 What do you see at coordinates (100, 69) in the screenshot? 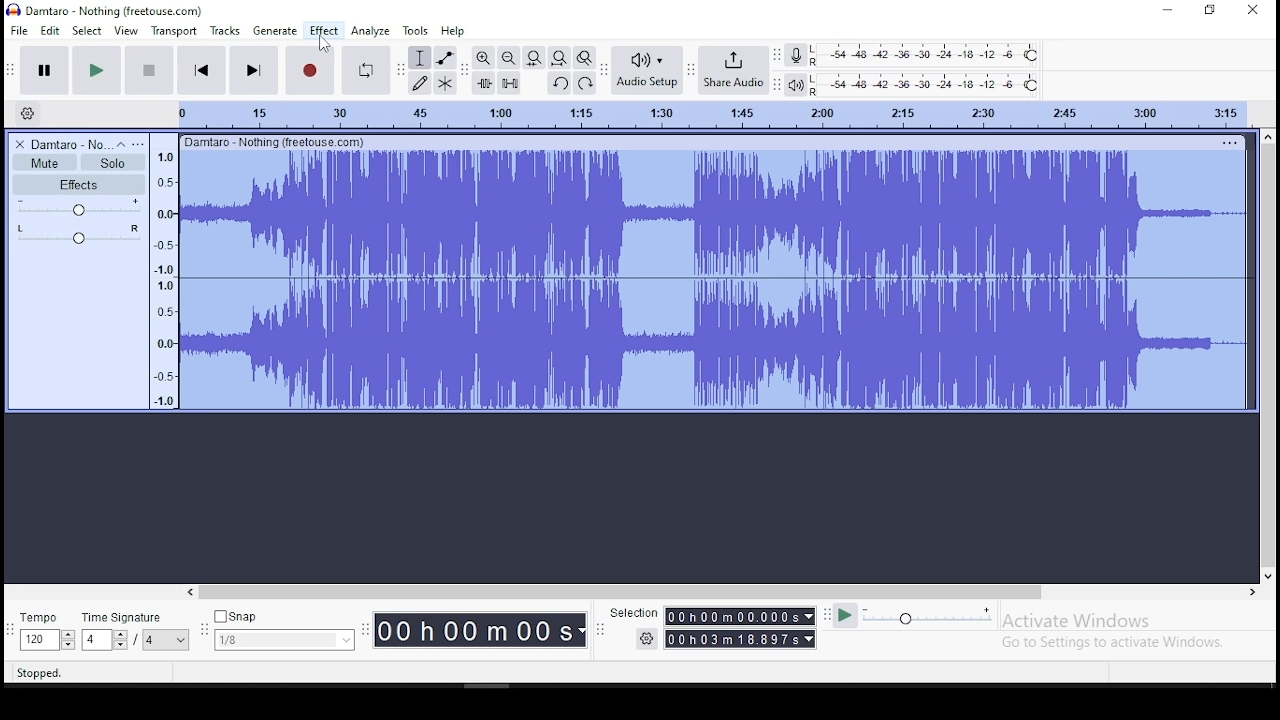
I see `play` at bounding box center [100, 69].